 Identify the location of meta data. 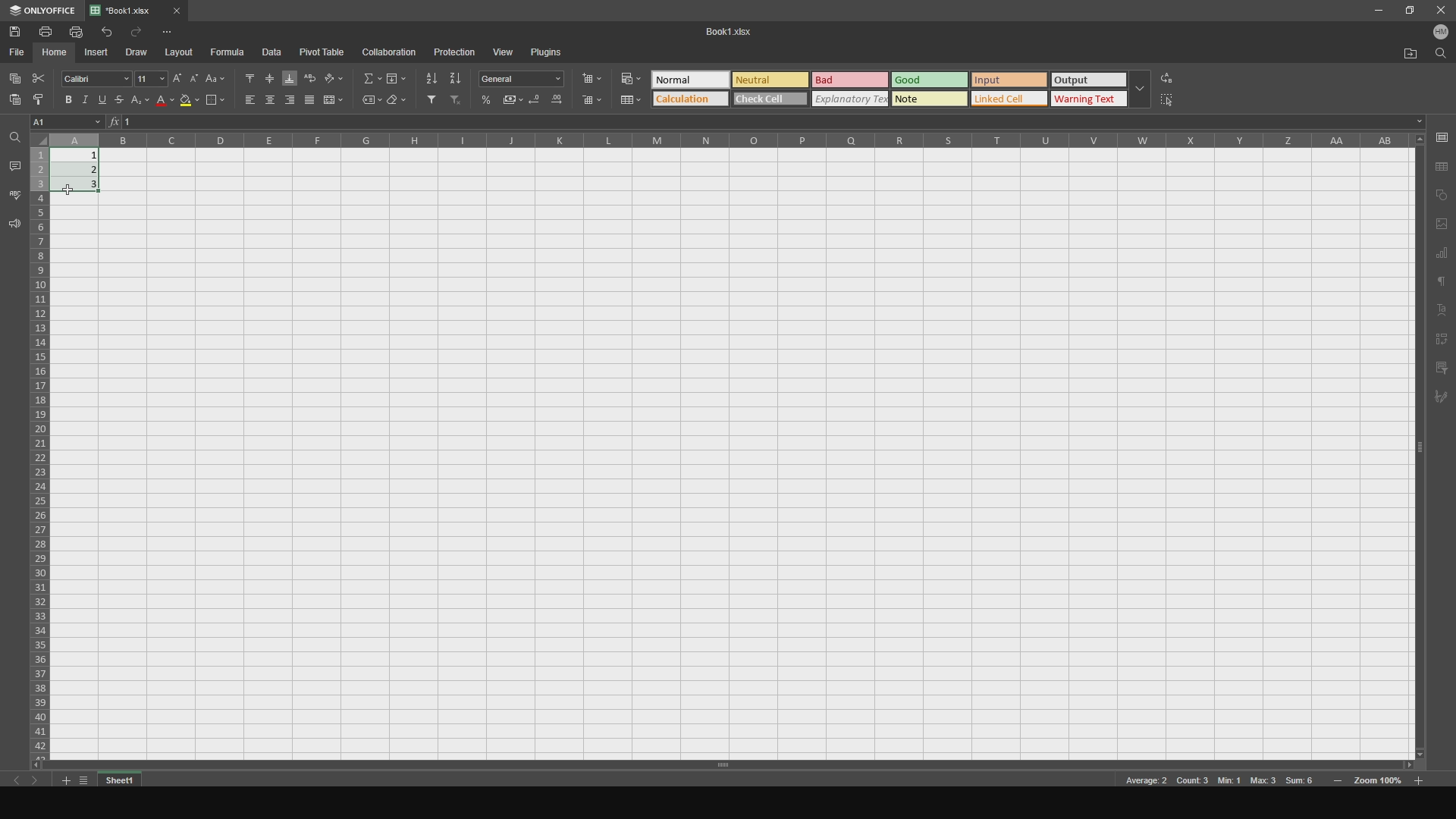
(1219, 782).